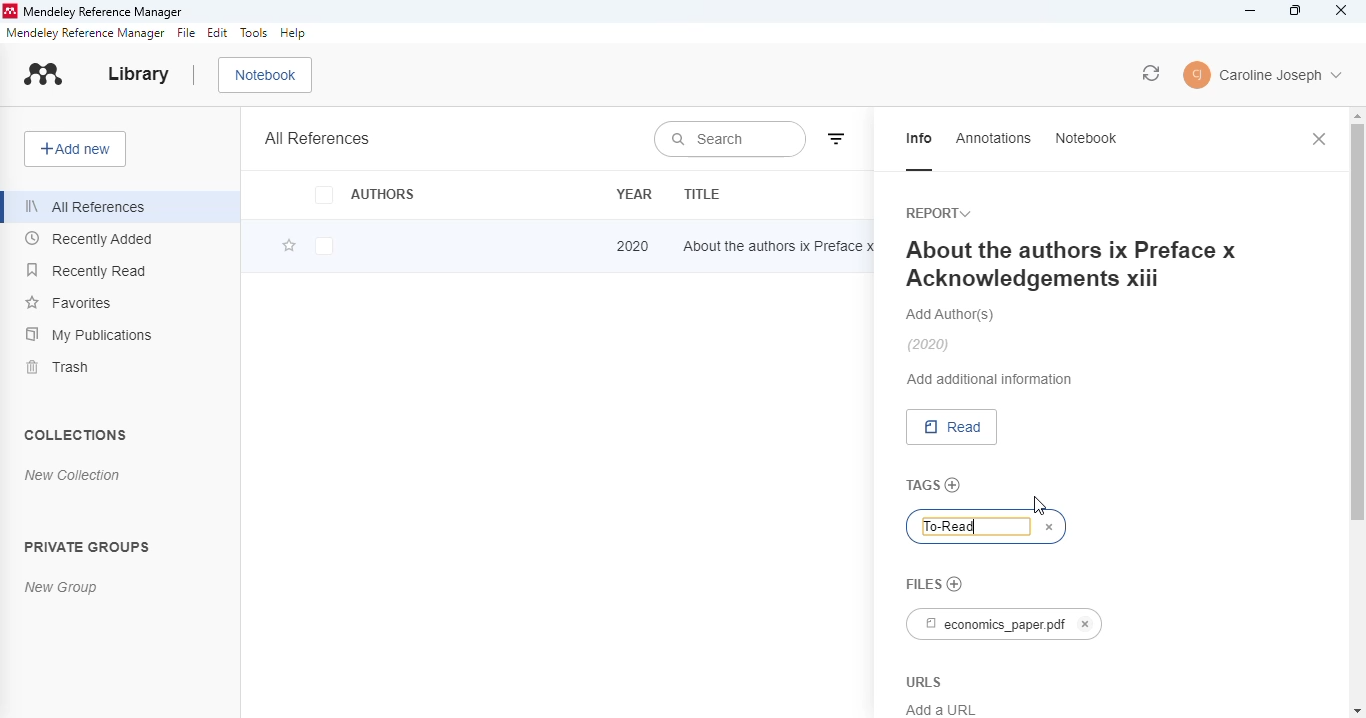  I want to click on my publications, so click(88, 333).